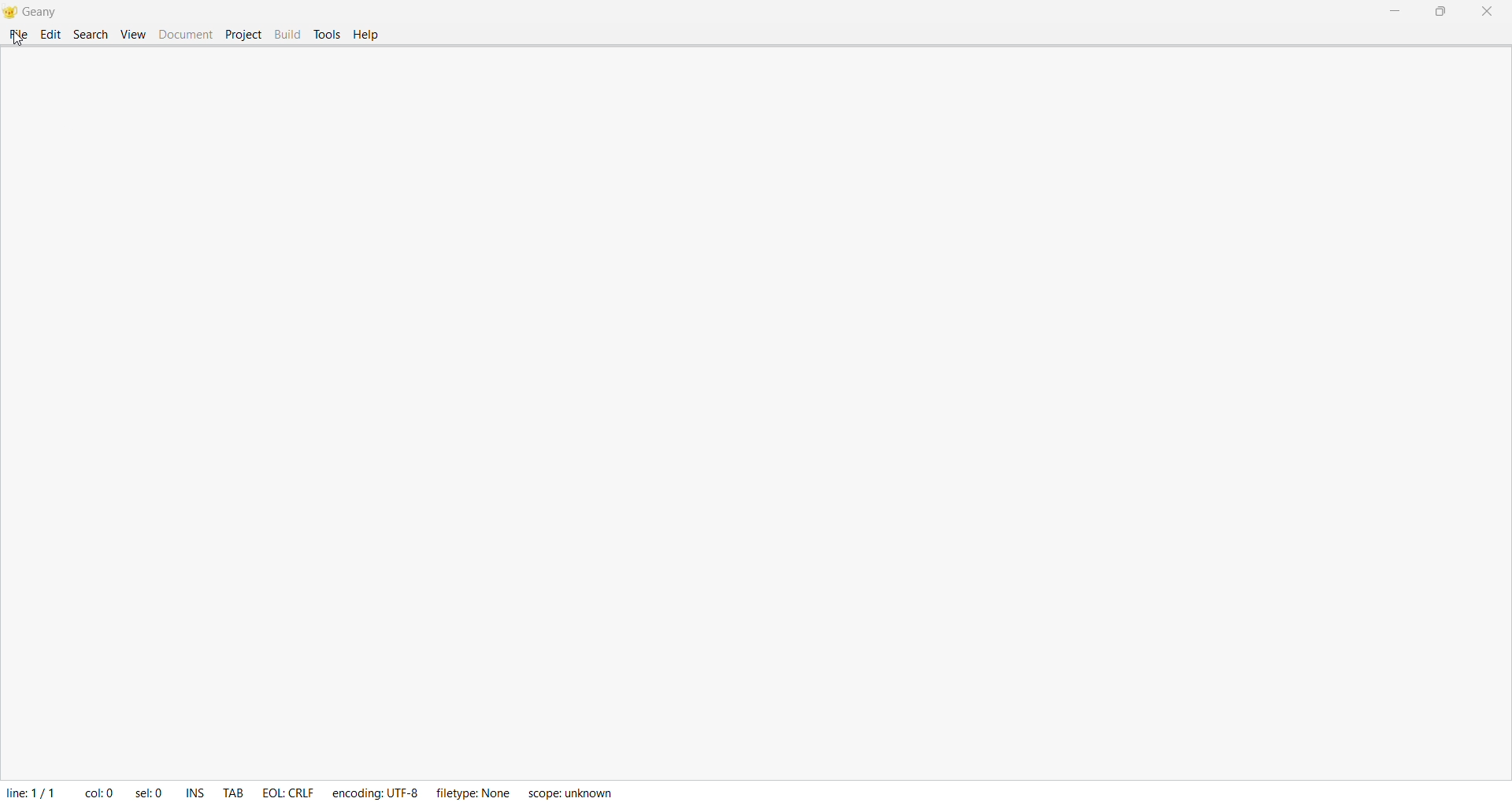 The width and height of the screenshot is (1512, 802). I want to click on TAB, so click(236, 792).